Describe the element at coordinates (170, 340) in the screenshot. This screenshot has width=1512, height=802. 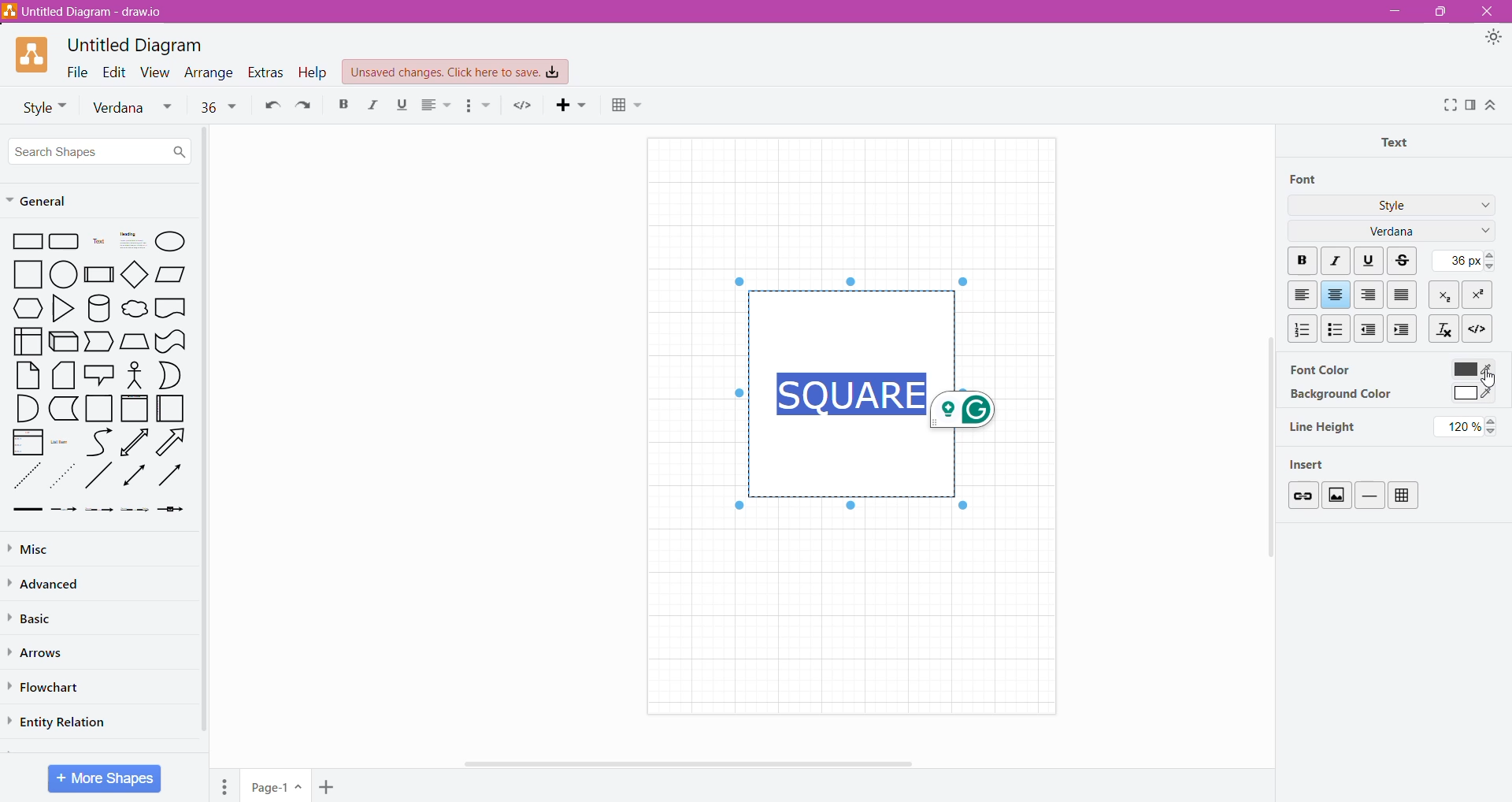
I see `Curved Rectangle` at that location.